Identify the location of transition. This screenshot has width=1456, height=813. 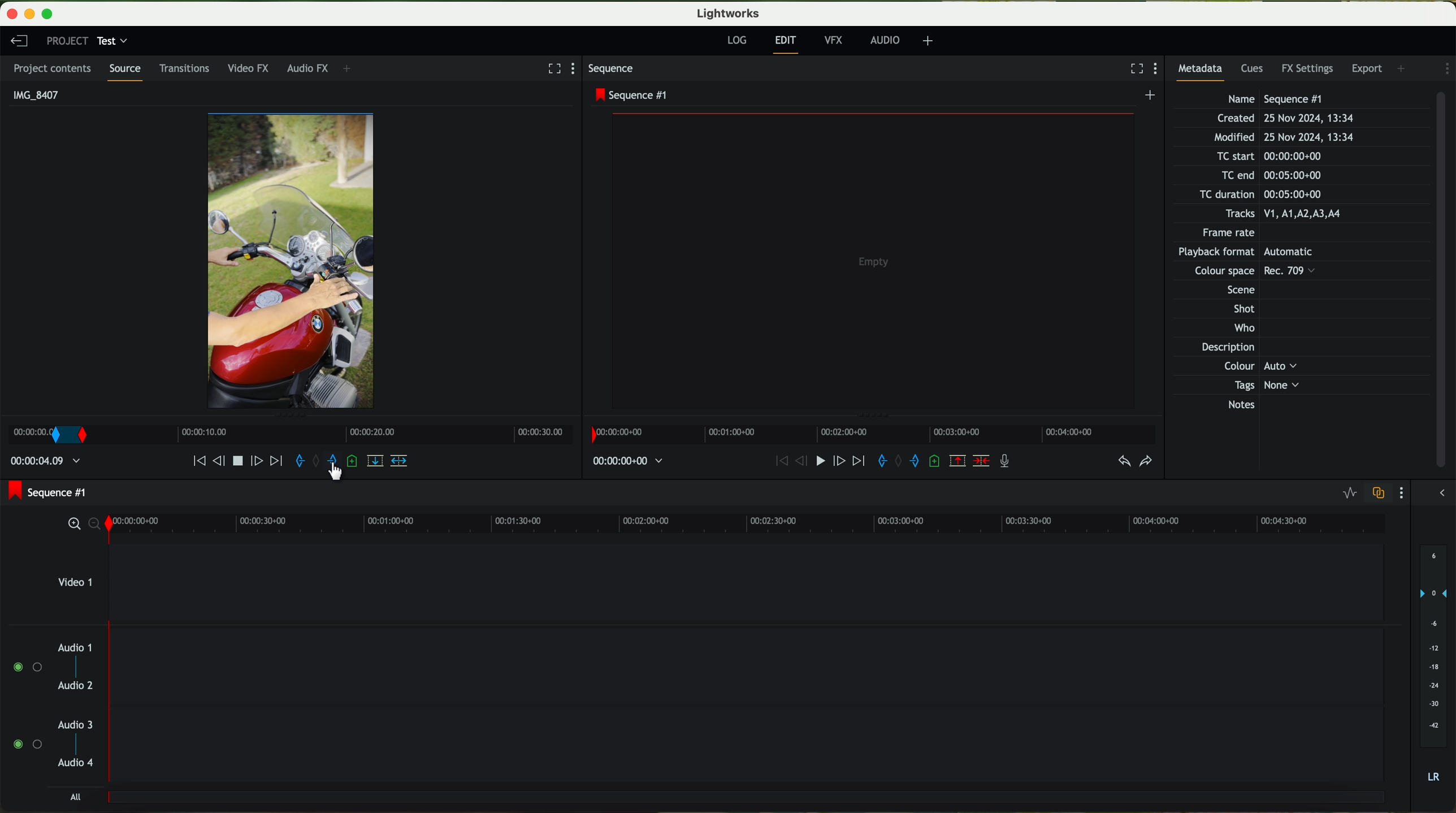
(70, 436).